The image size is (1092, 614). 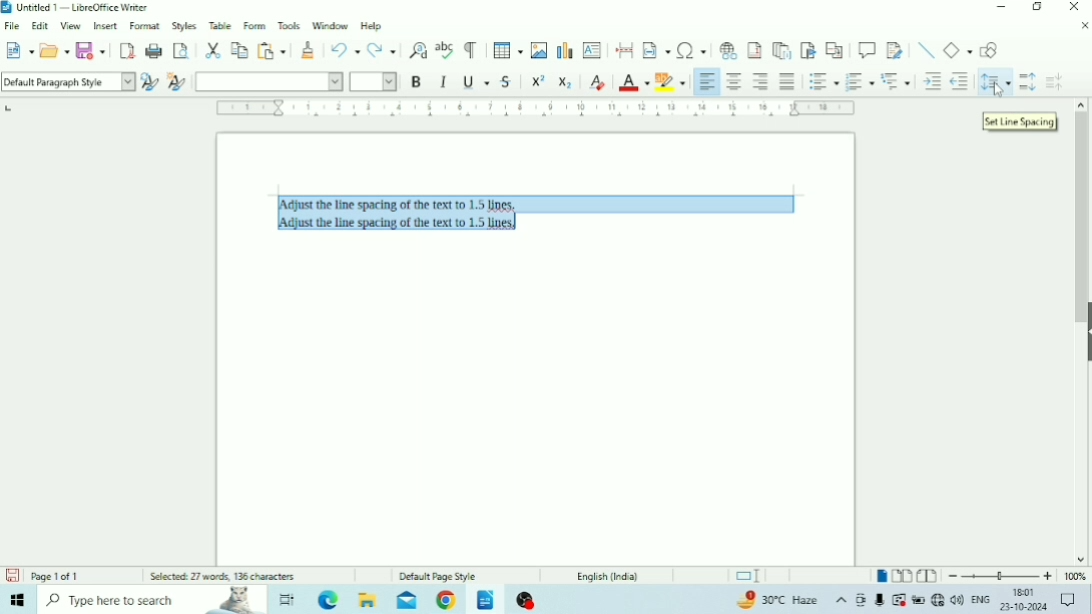 What do you see at coordinates (756, 49) in the screenshot?
I see `Insert Footnote` at bounding box center [756, 49].